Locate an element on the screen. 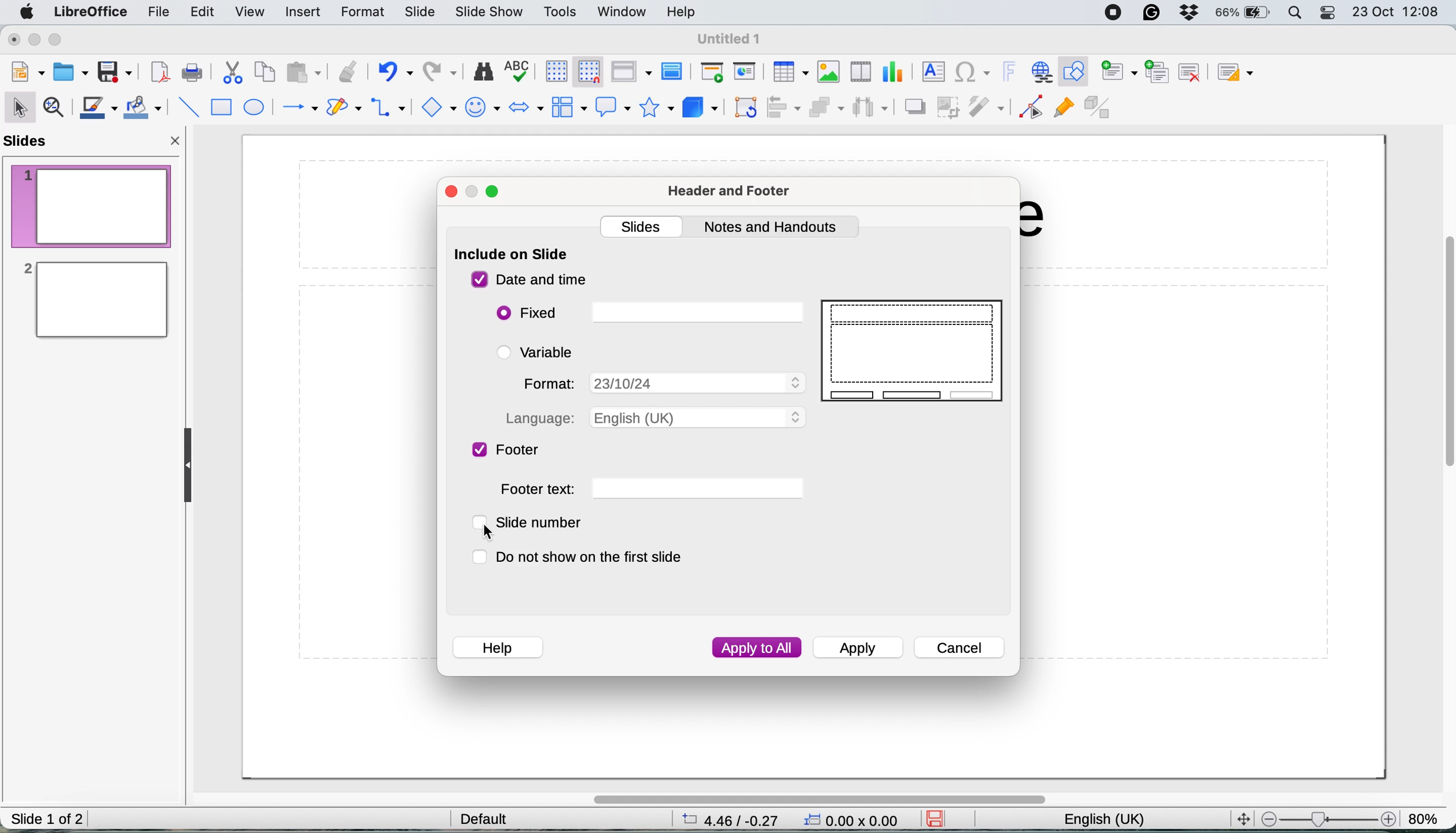 This screenshot has width=1456, height=833. slide layout is located at coordinates (1240, 73).